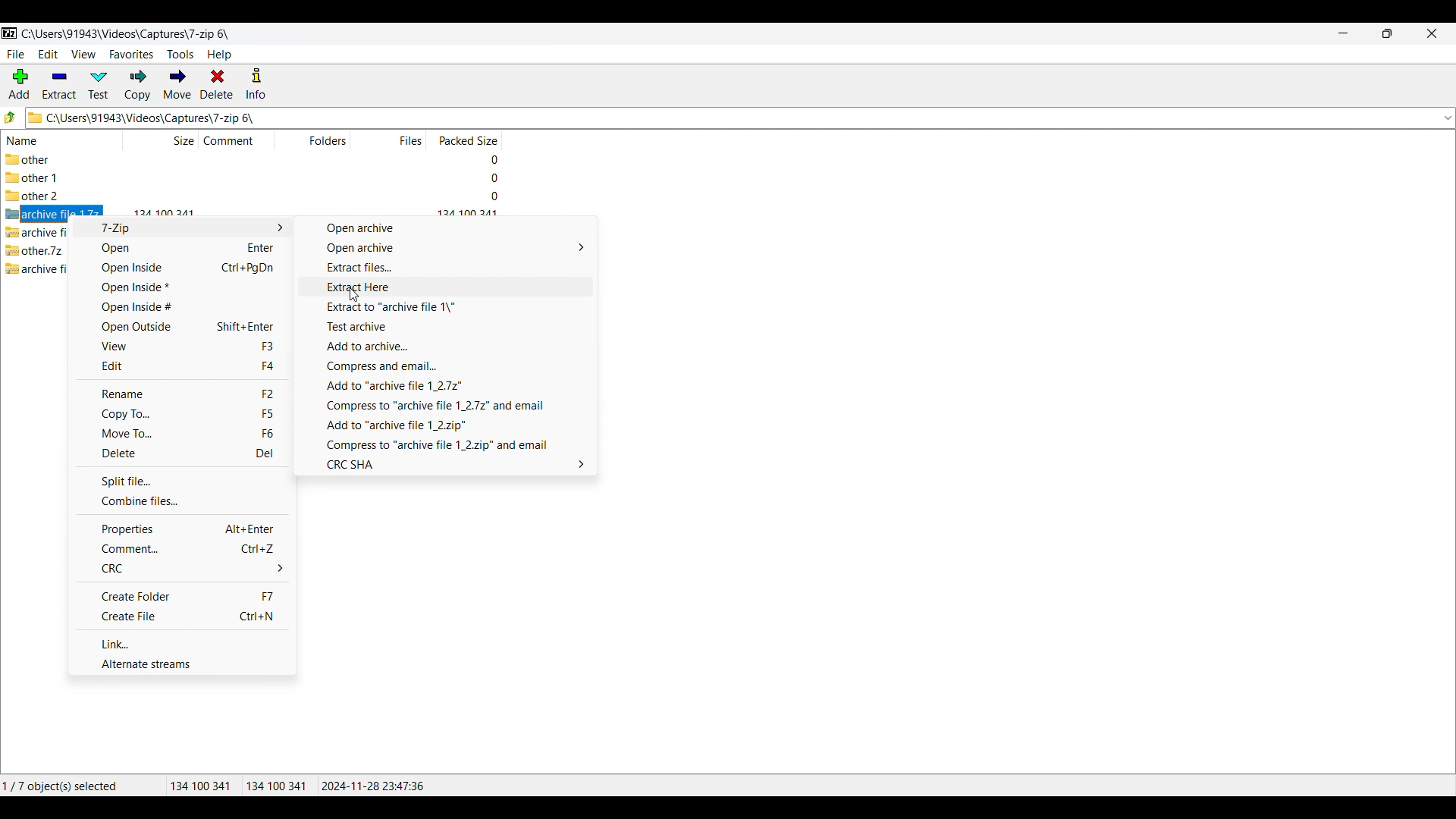 The image size is (1456, 819). I want to click on Tools menu, so click(180, 55).